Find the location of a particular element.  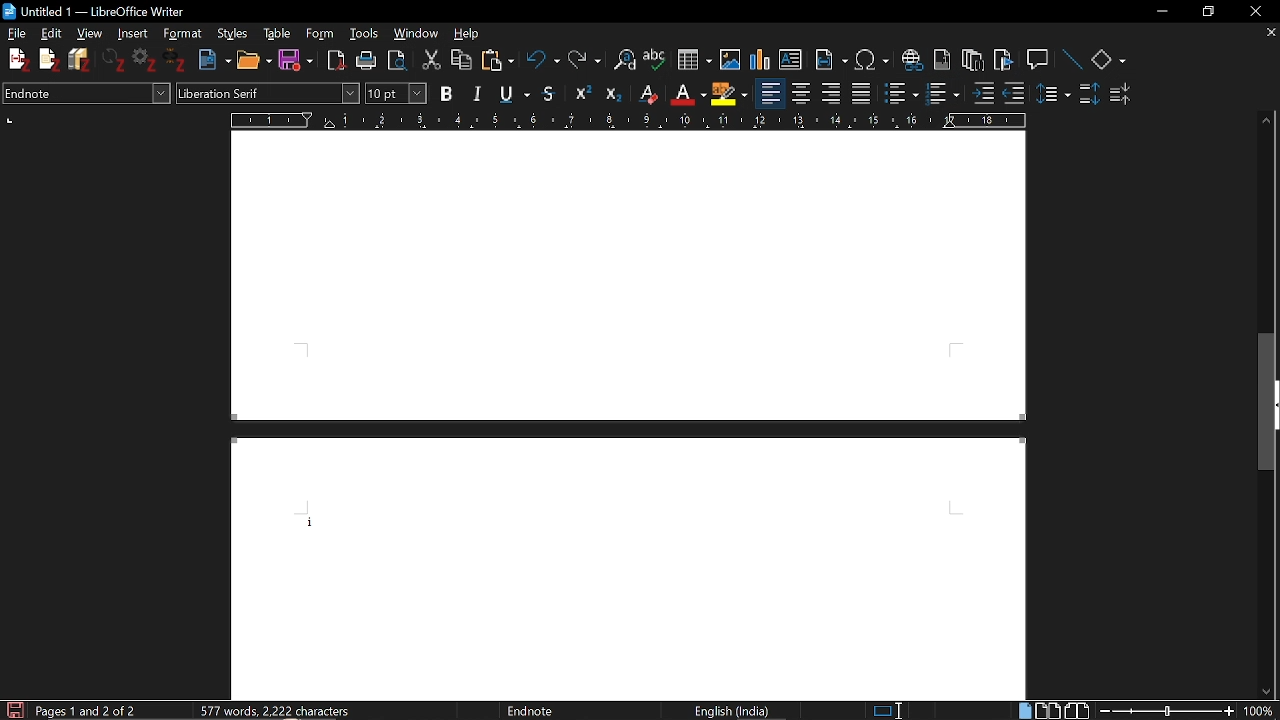

Endnote added is located at coordinates (630, 516).